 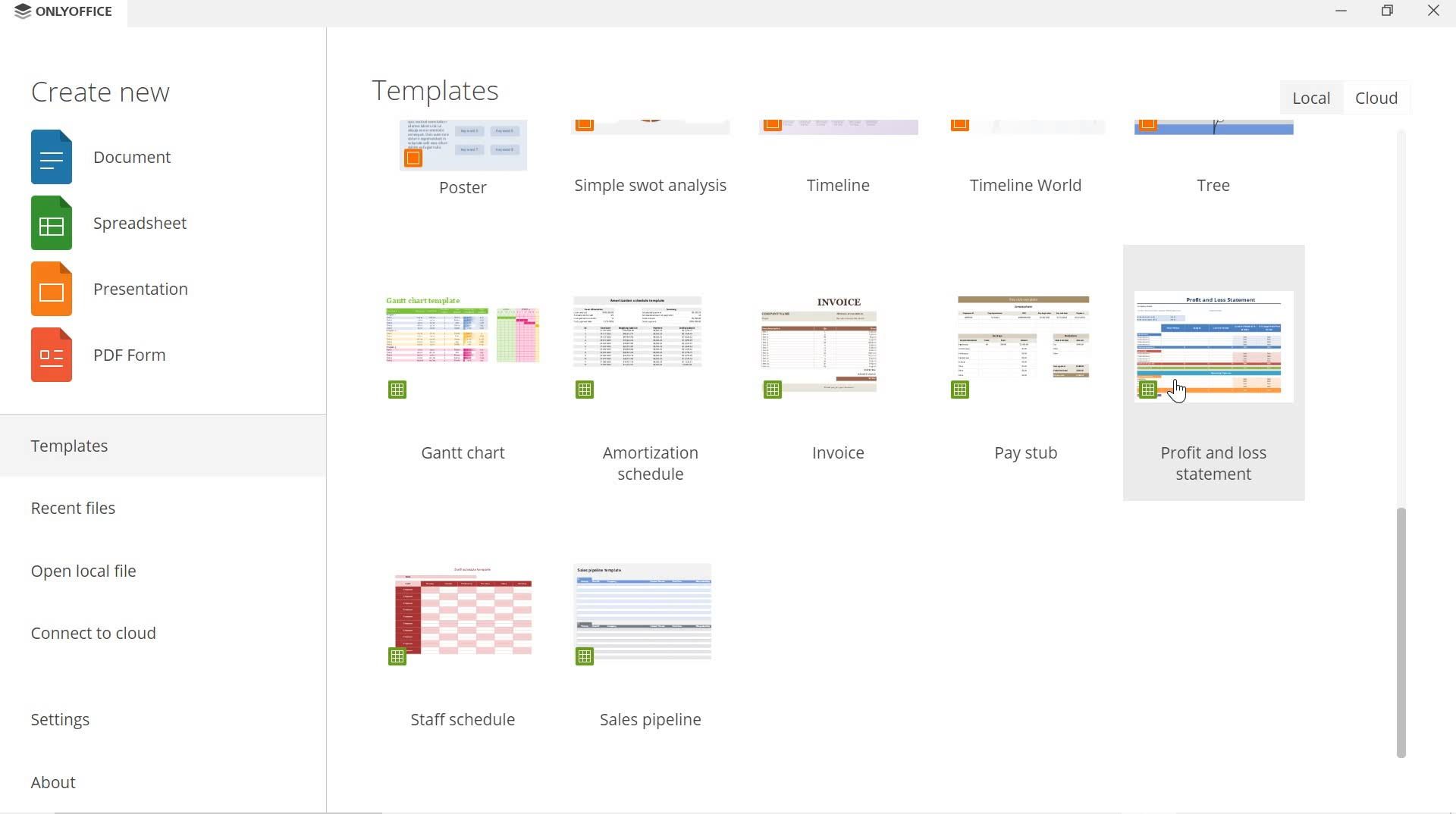 What do you see at coordinates (651, 463) in the screenshot?
I see `Amortization
schedule` at bounding box center [651, 463].